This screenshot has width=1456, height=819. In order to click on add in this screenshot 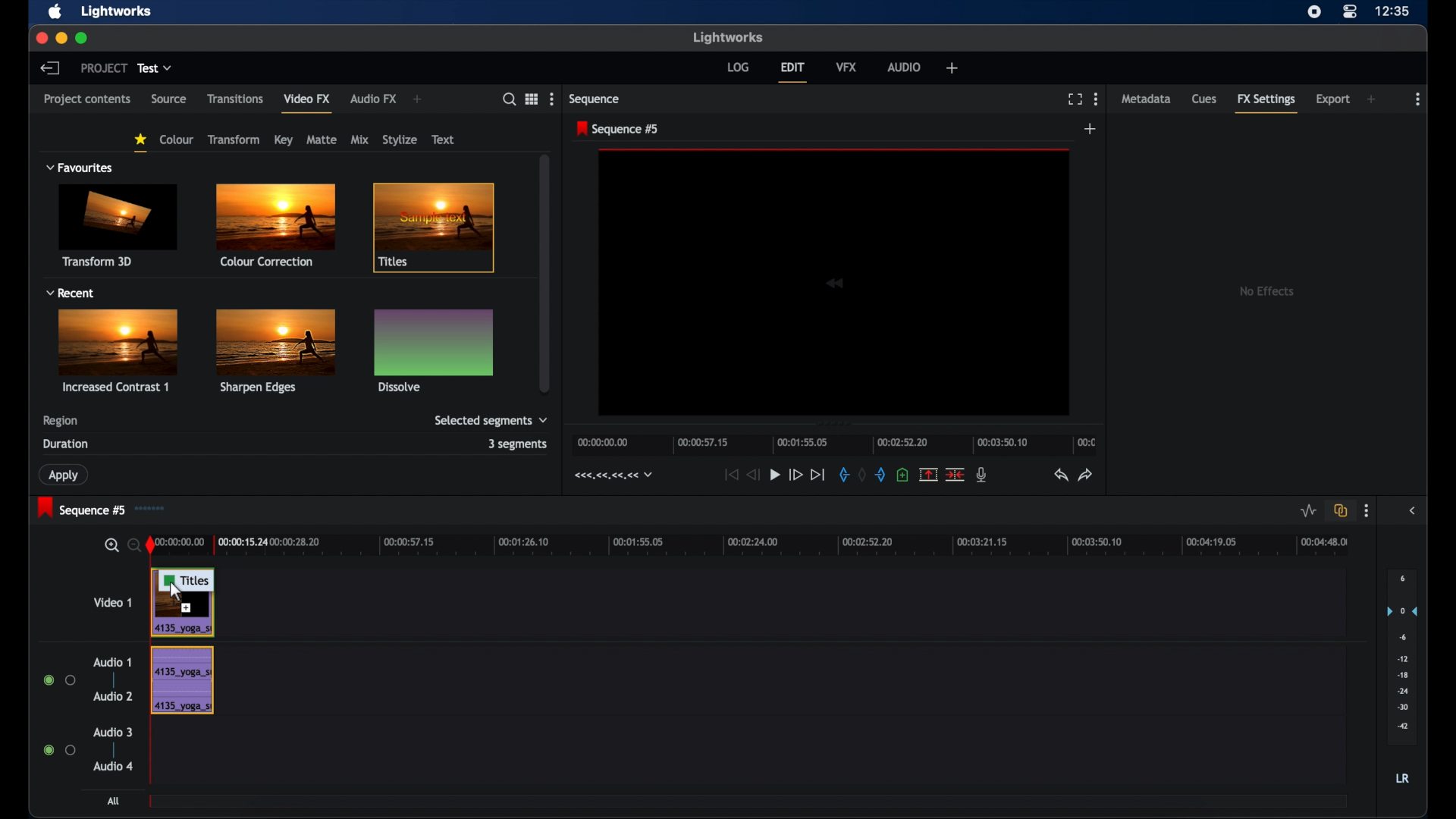, I will do `click(1091, 130)`.